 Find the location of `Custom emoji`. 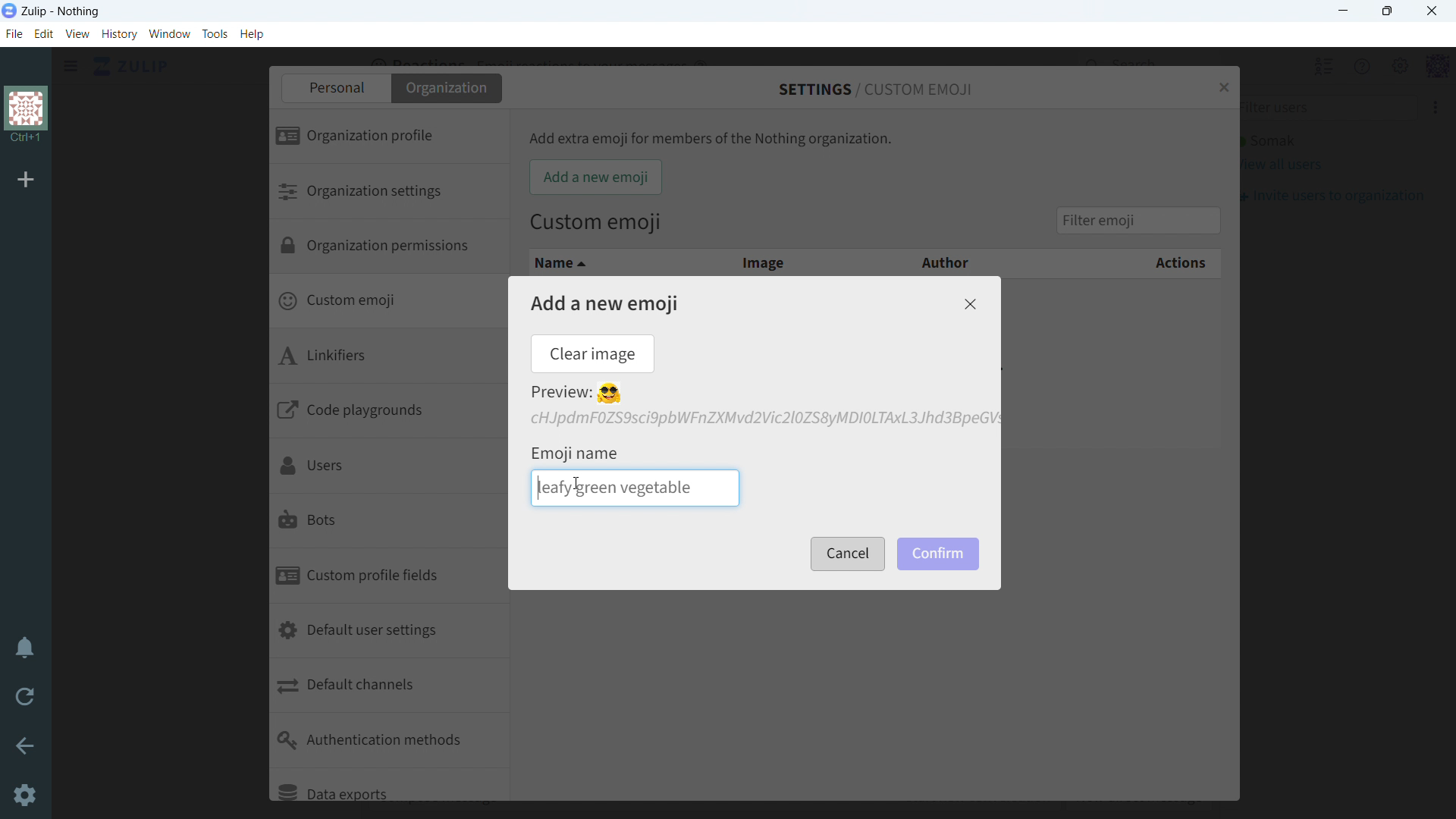

Custom emoji is located at coordinates (596, 224).